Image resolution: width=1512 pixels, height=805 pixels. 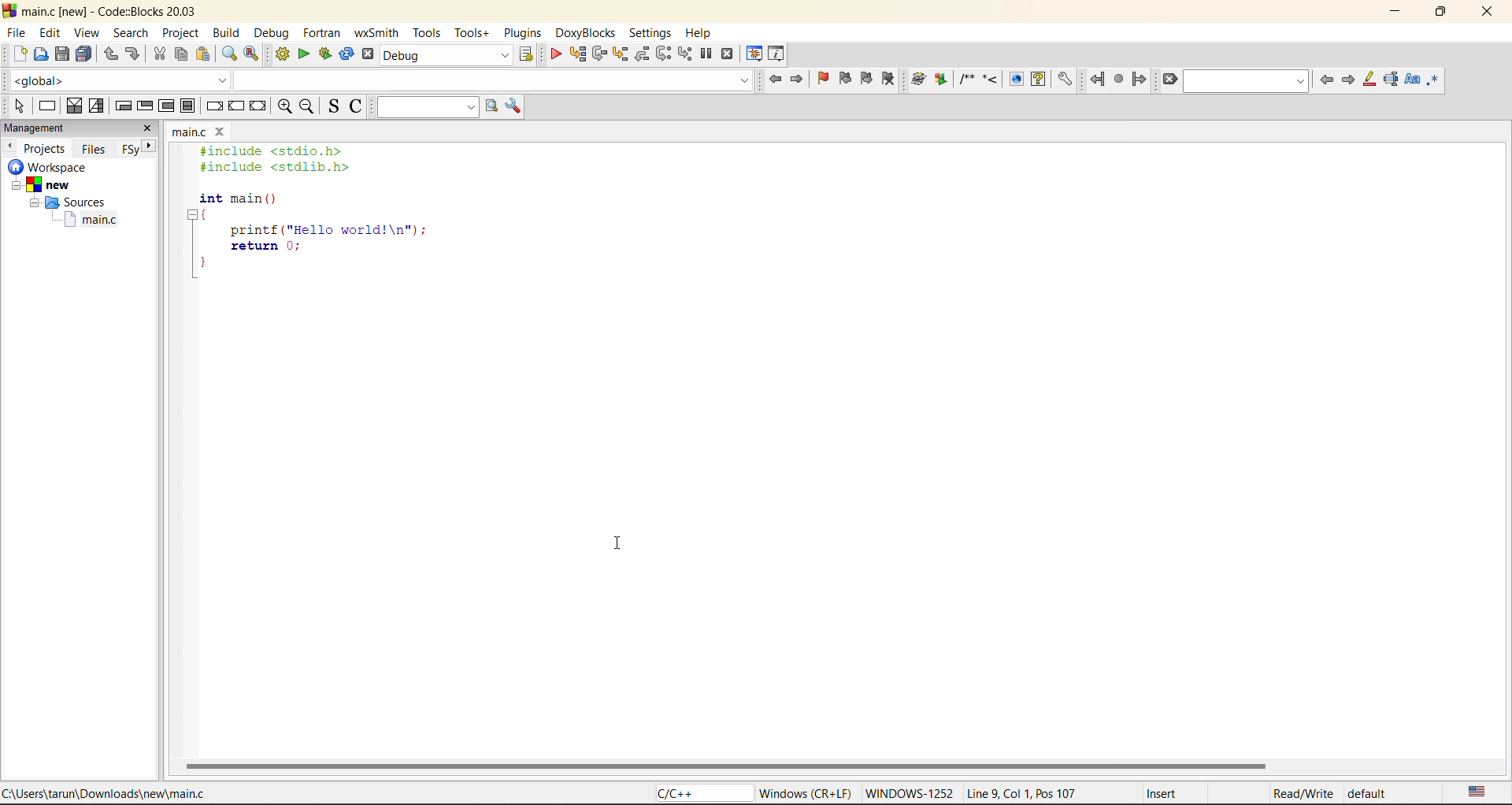 I want to click on files, so click(x=94, y=148).